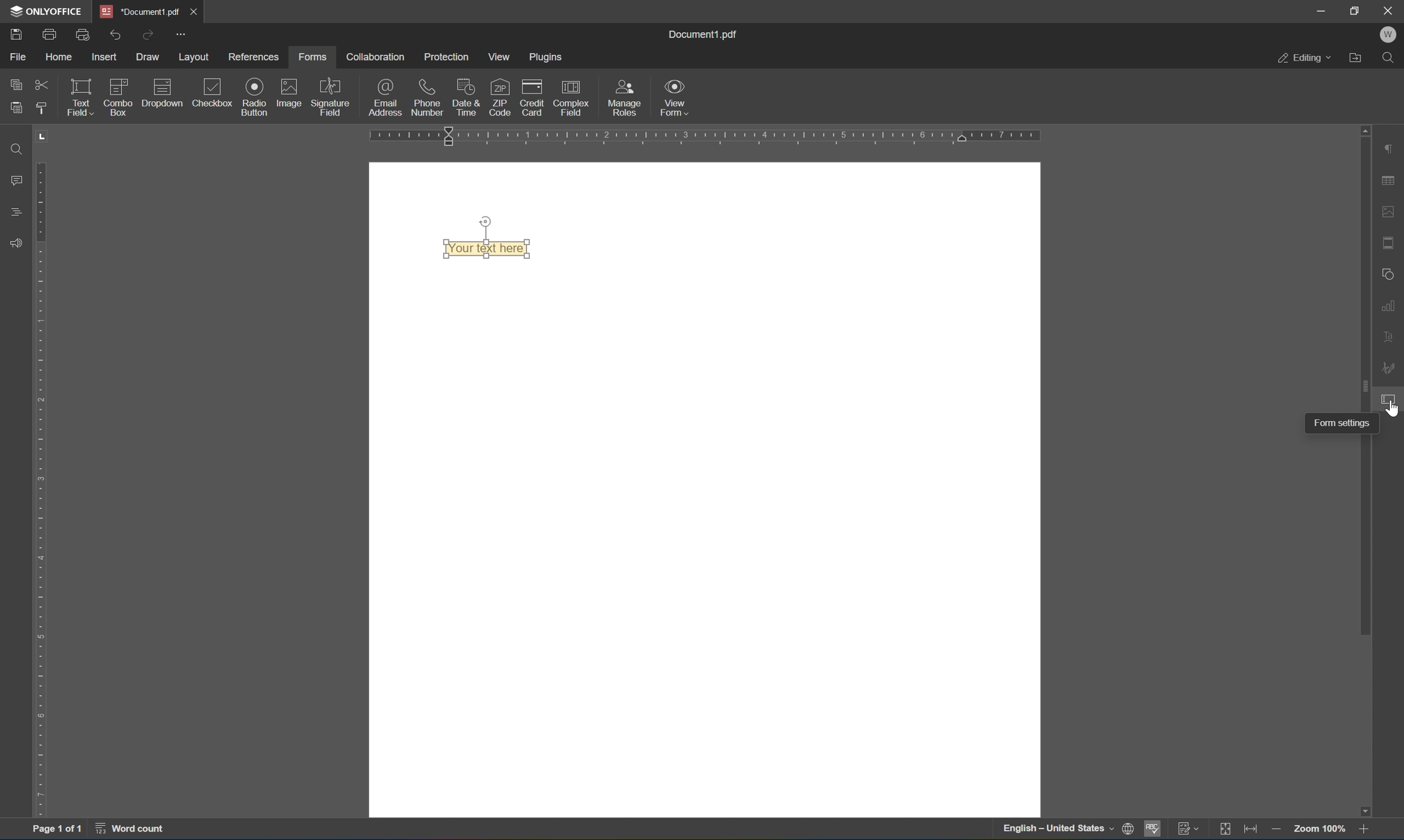  I want to click on W, so click(1388, 36).